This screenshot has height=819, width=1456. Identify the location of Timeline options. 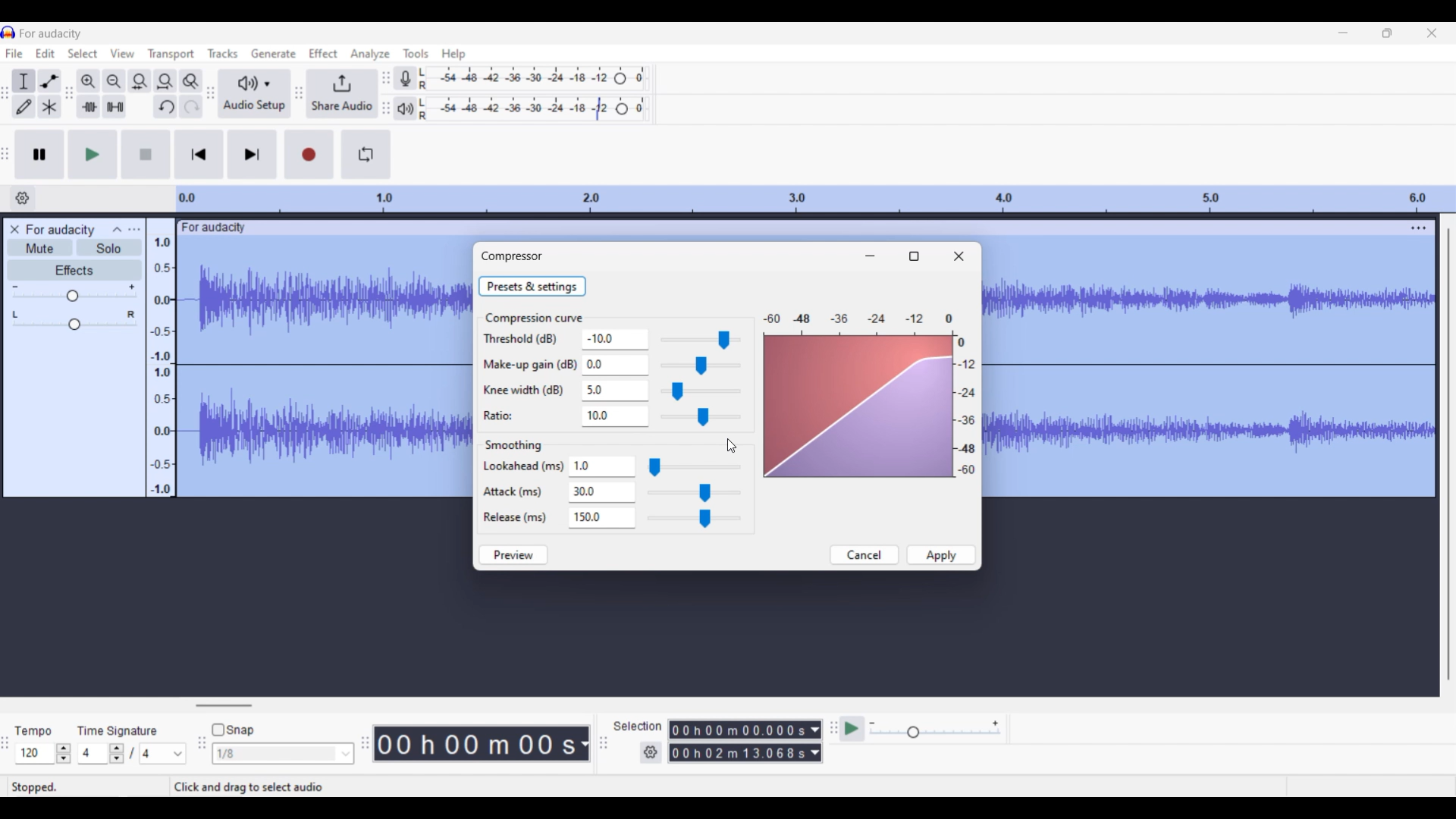
(22, 198).